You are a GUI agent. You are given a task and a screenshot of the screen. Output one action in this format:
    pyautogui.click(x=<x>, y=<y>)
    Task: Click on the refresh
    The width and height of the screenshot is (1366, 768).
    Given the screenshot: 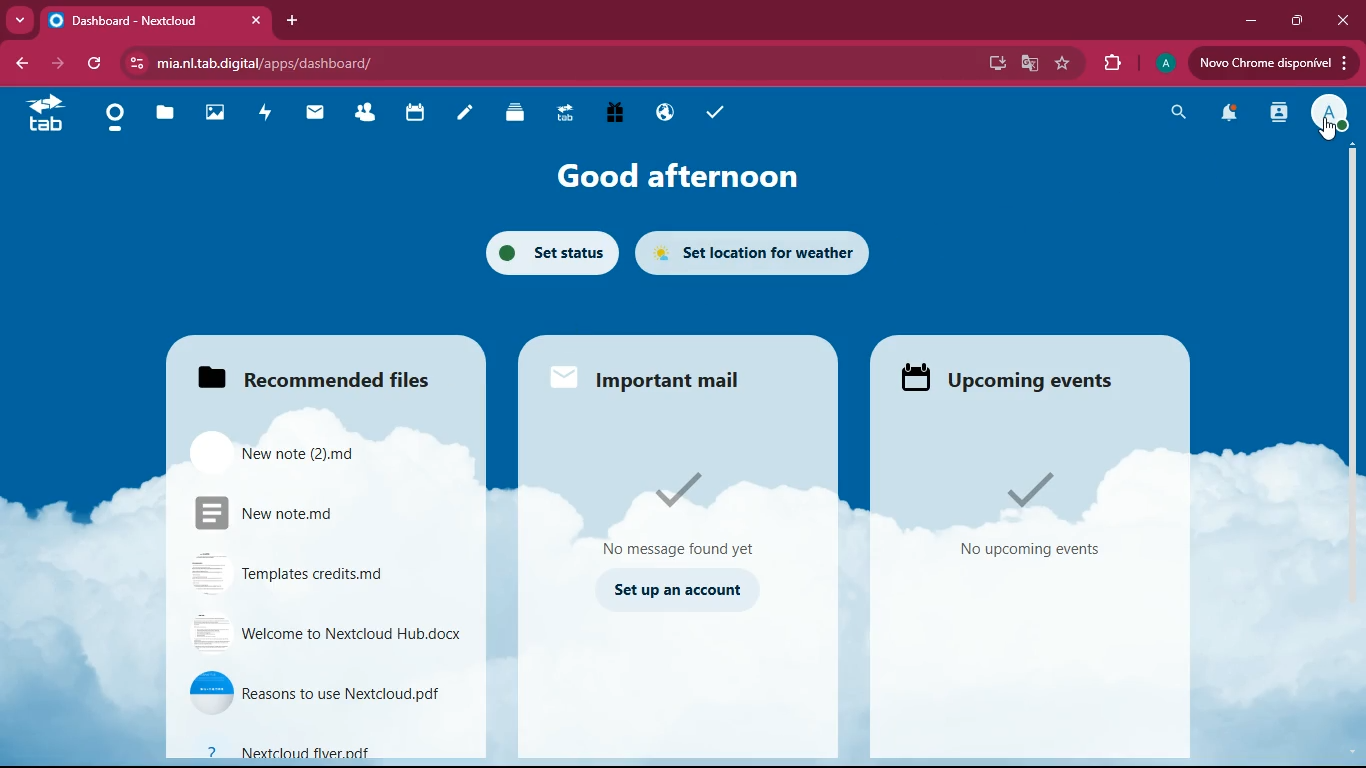 What is the action you would take?
    pyautogui.click(x=97, y=62)
    